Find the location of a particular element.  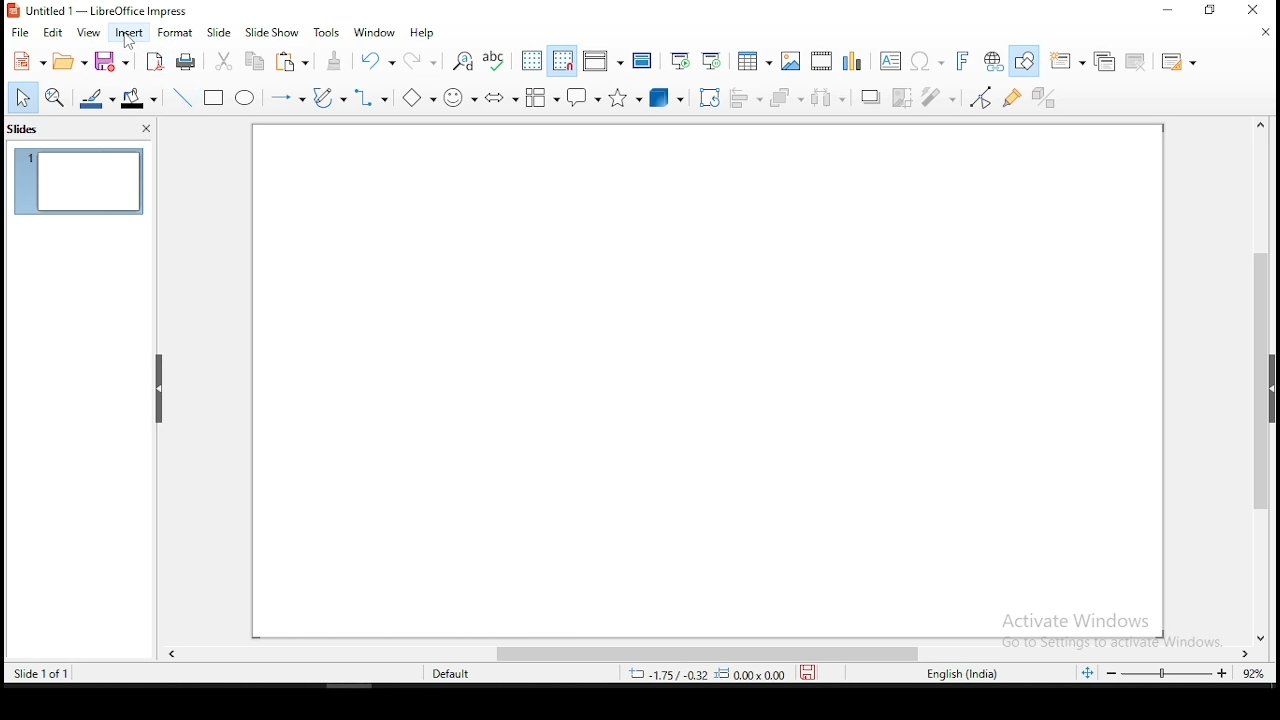

slide show is located at coordinates (219, 33).